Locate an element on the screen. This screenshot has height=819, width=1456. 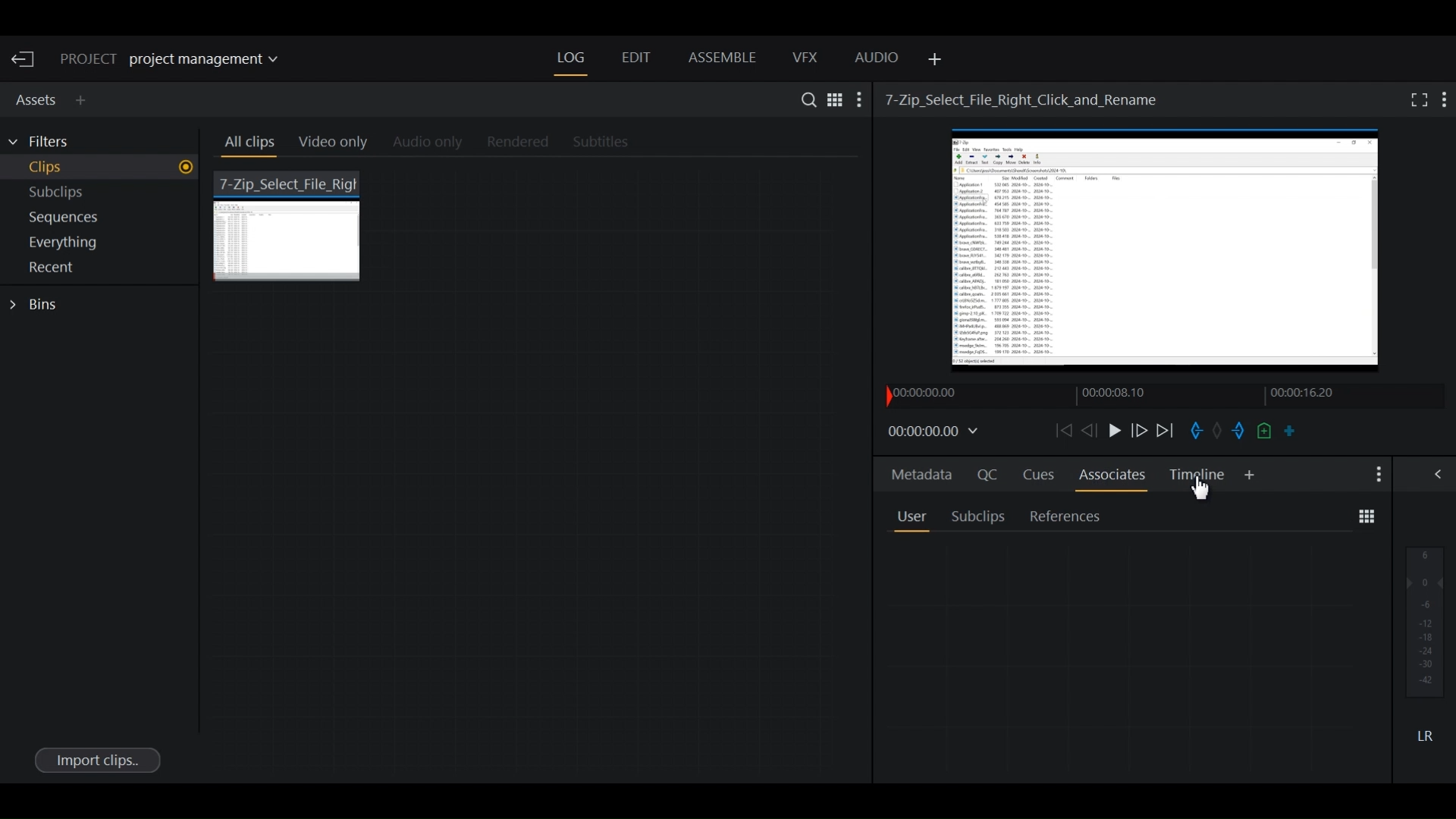
Import clips is located at coordinates (96, 759).